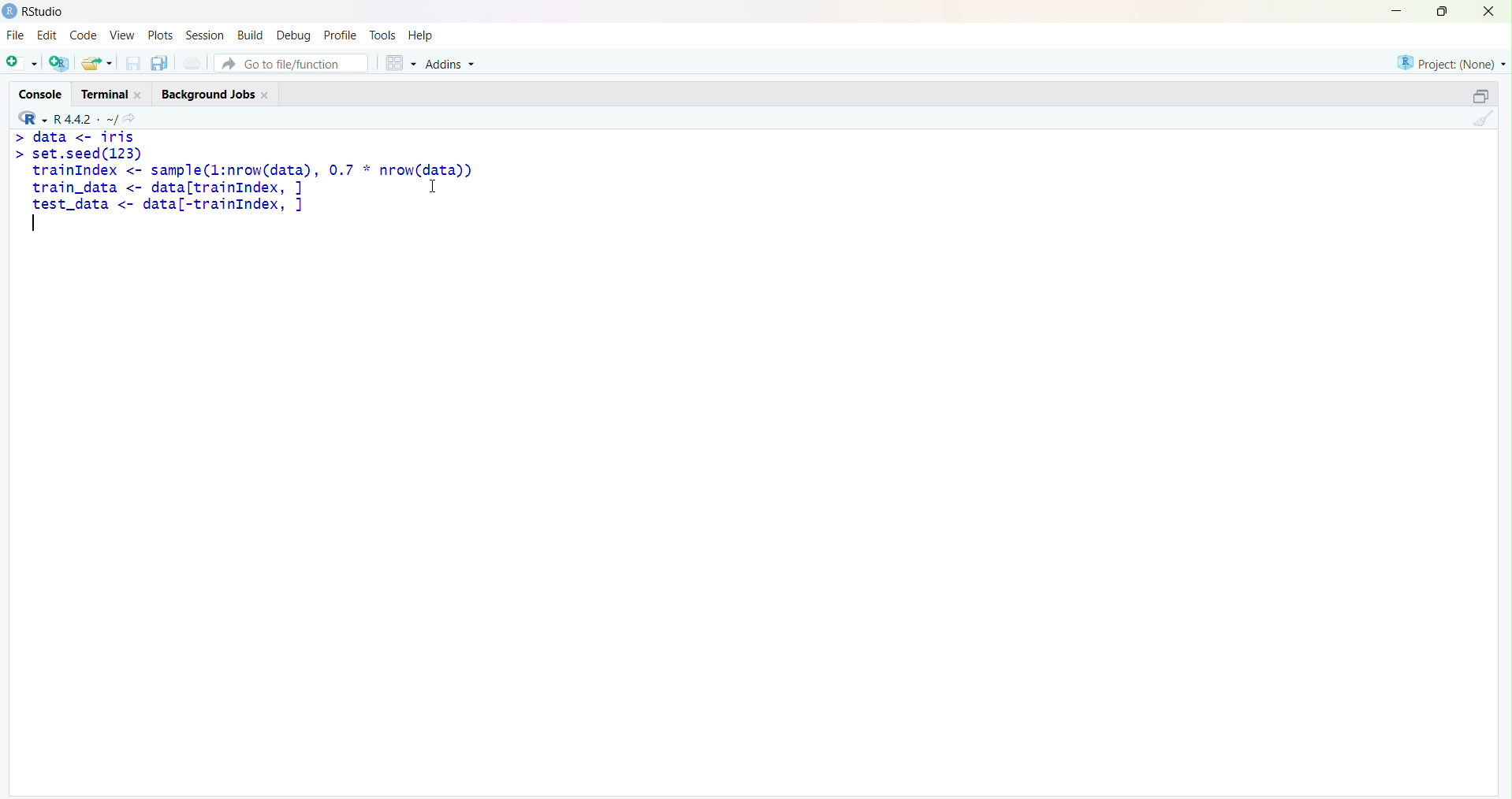 This screenshot has height=799, width=1512. What do you see at coordinates (82, 35) in the screenshot?
I see `Code` at bounding box center [82, 35].